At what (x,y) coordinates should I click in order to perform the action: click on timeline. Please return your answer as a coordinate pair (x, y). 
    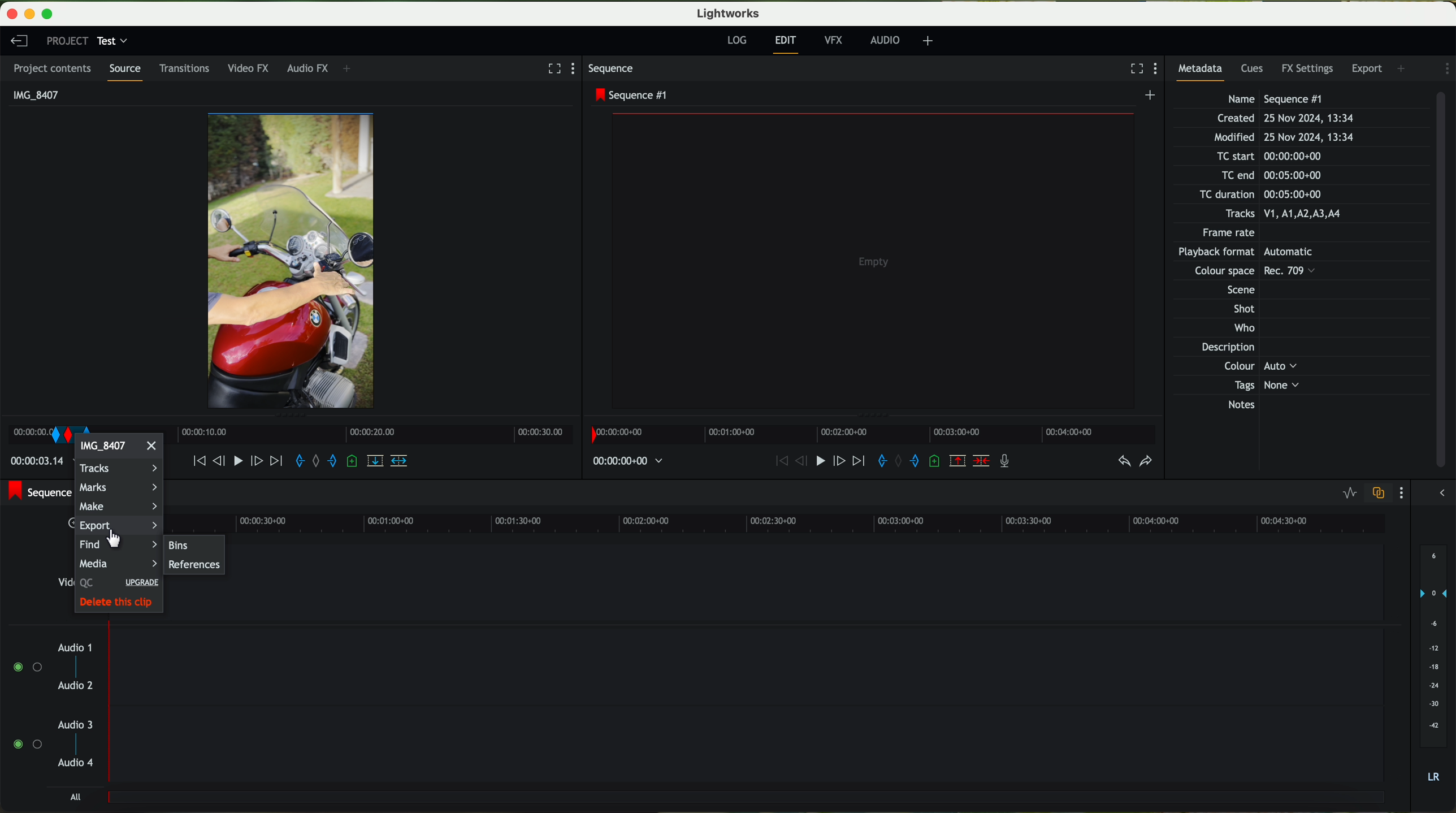
    Looking at the image, I should click on (815, 521).